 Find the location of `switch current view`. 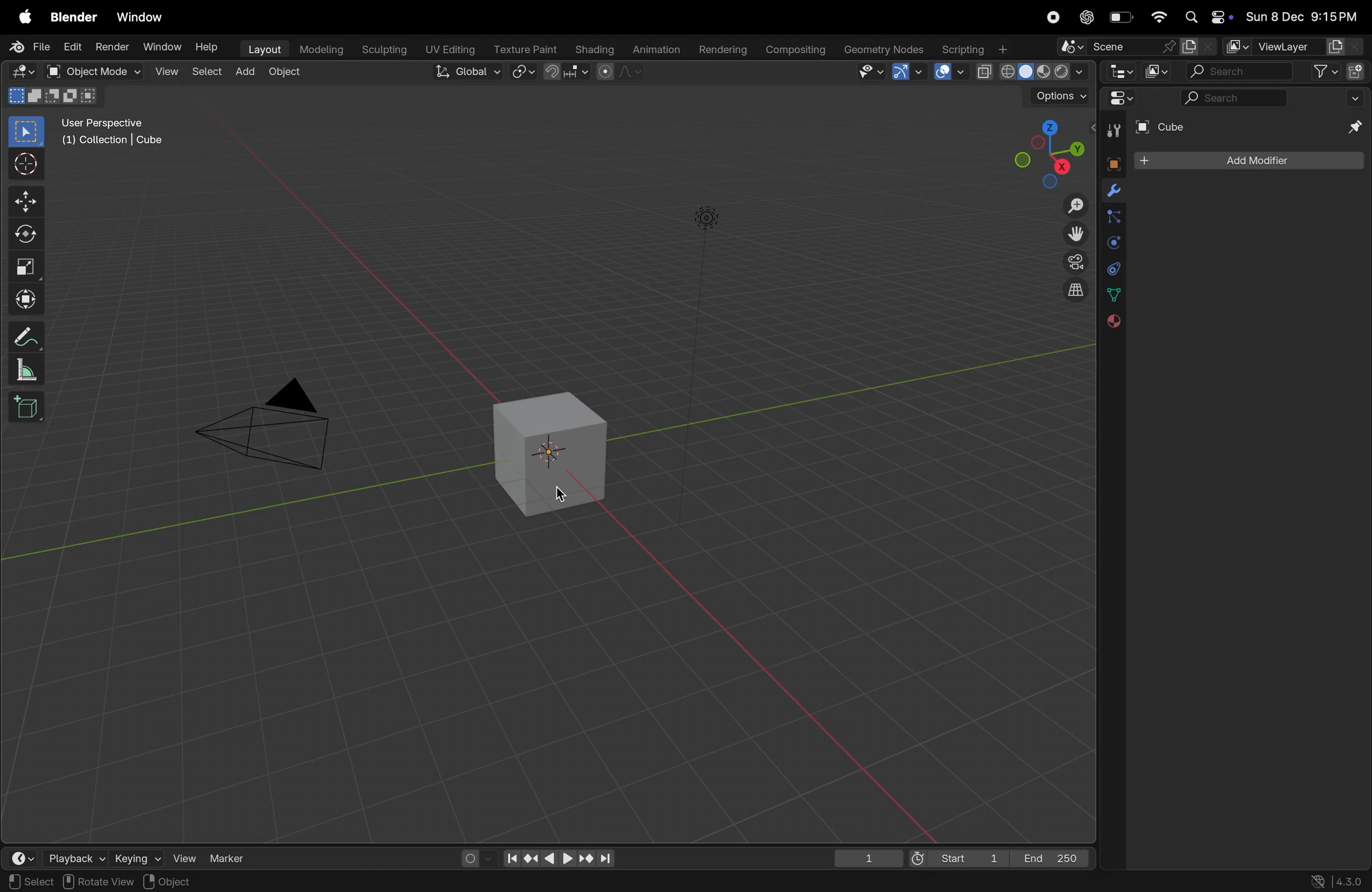

switch current view is located at coordinates (1069, 293).